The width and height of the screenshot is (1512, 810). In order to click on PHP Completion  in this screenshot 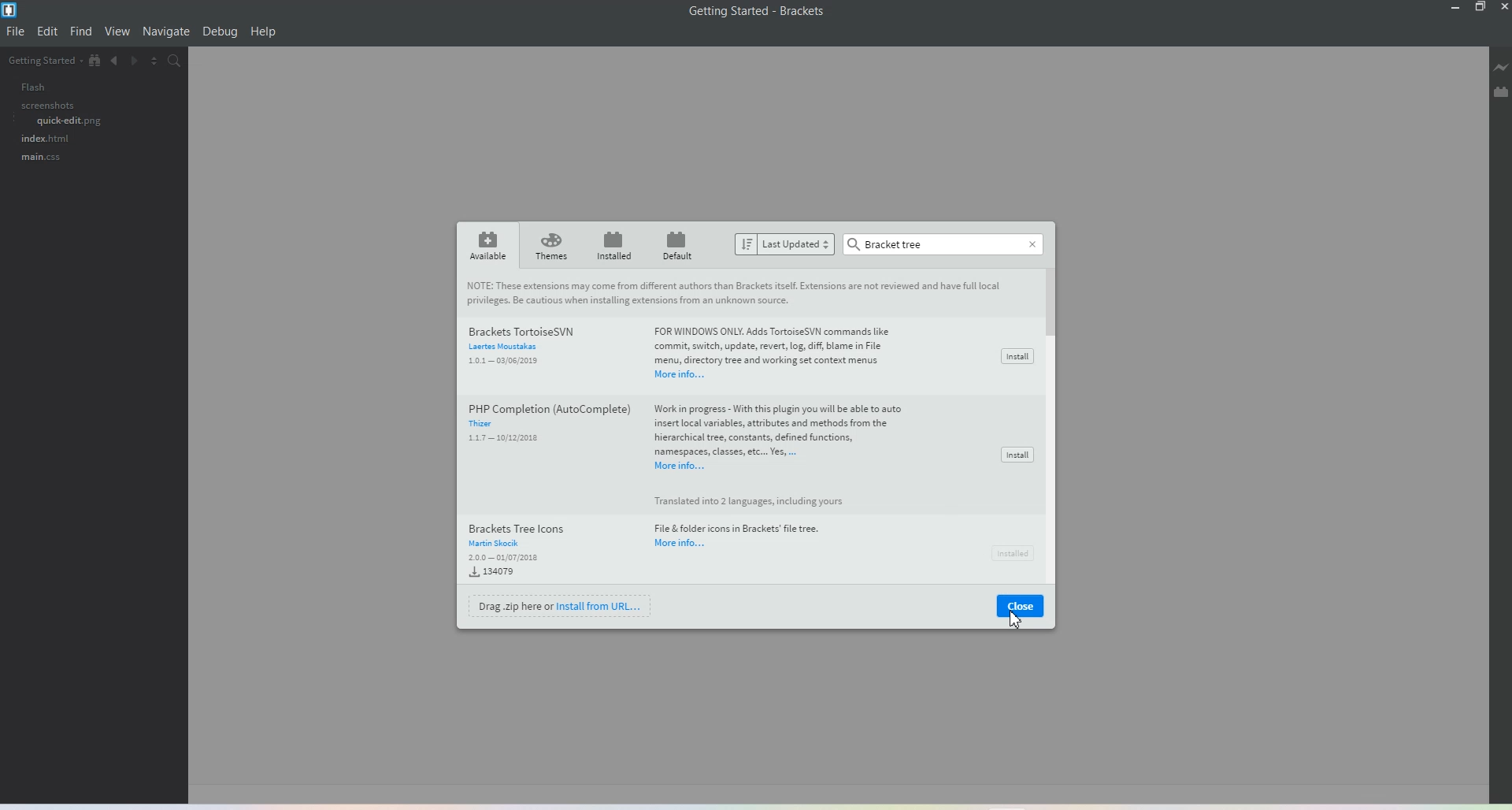, I will do `click(545, 429)`.